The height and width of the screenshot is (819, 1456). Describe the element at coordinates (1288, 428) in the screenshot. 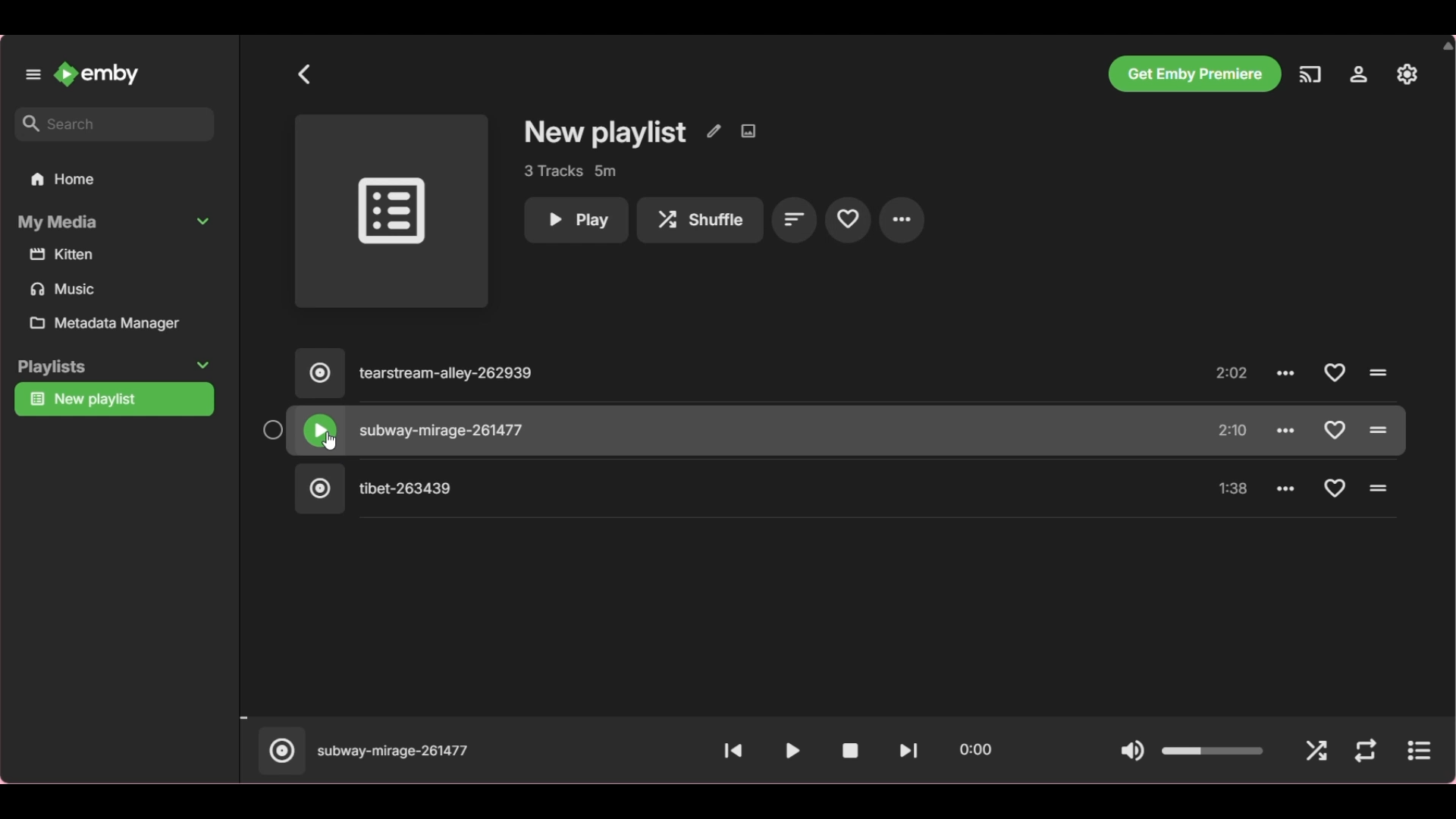

I see `Click to see more options for  song` at that location.